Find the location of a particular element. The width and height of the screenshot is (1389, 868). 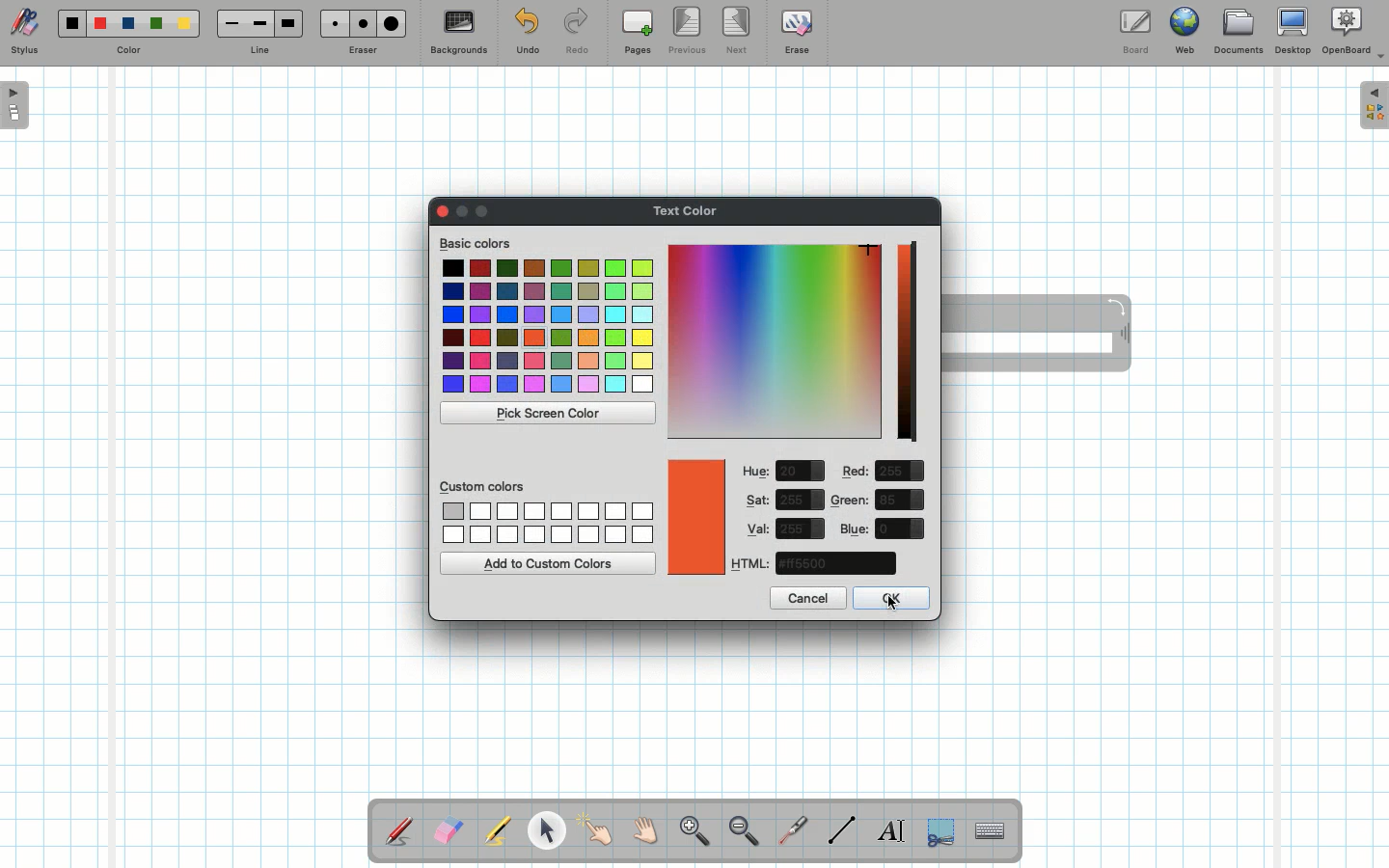

Move is located at coordinates (1123, 336).